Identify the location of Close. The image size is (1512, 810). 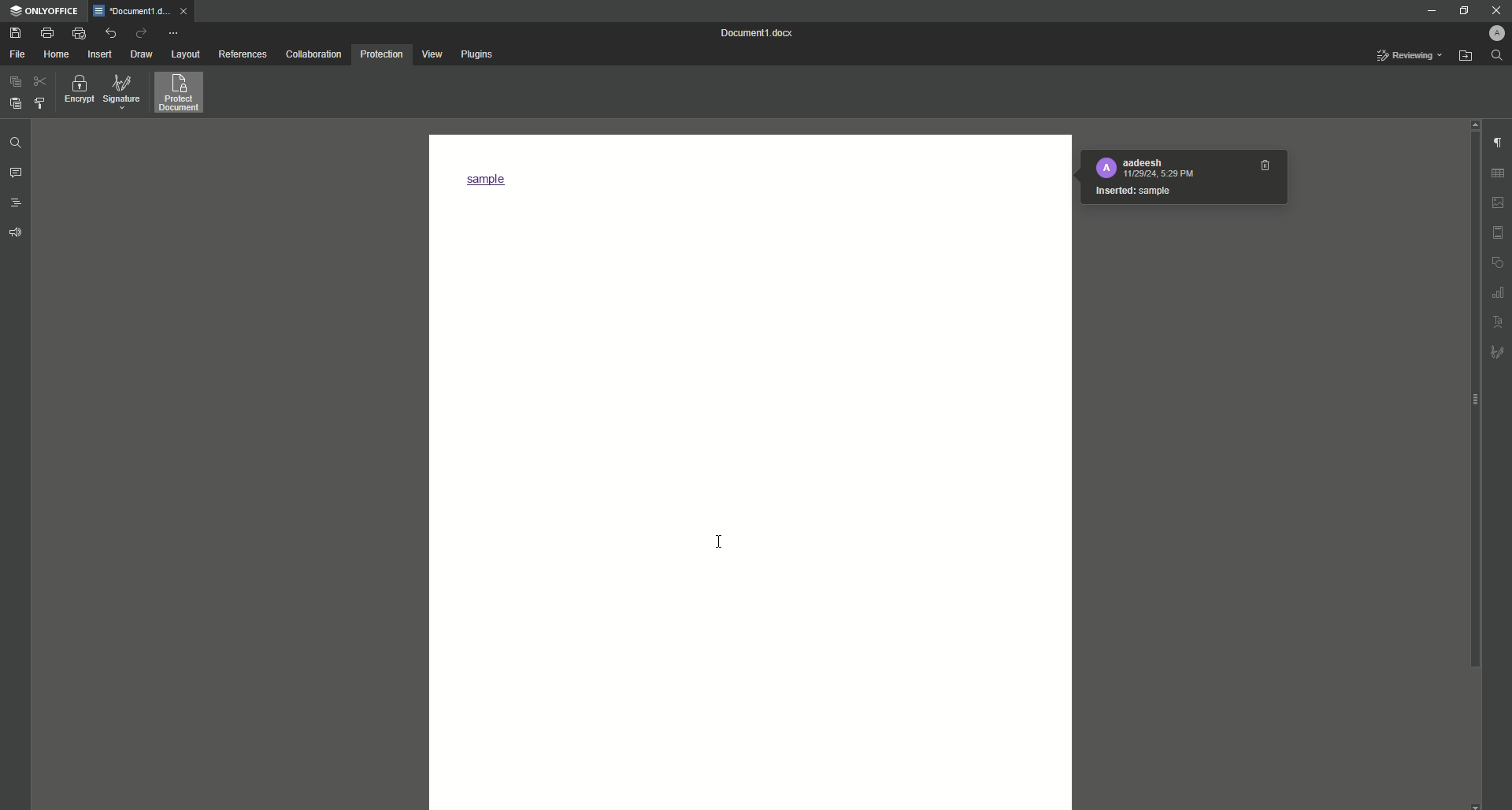
(1494, 10).